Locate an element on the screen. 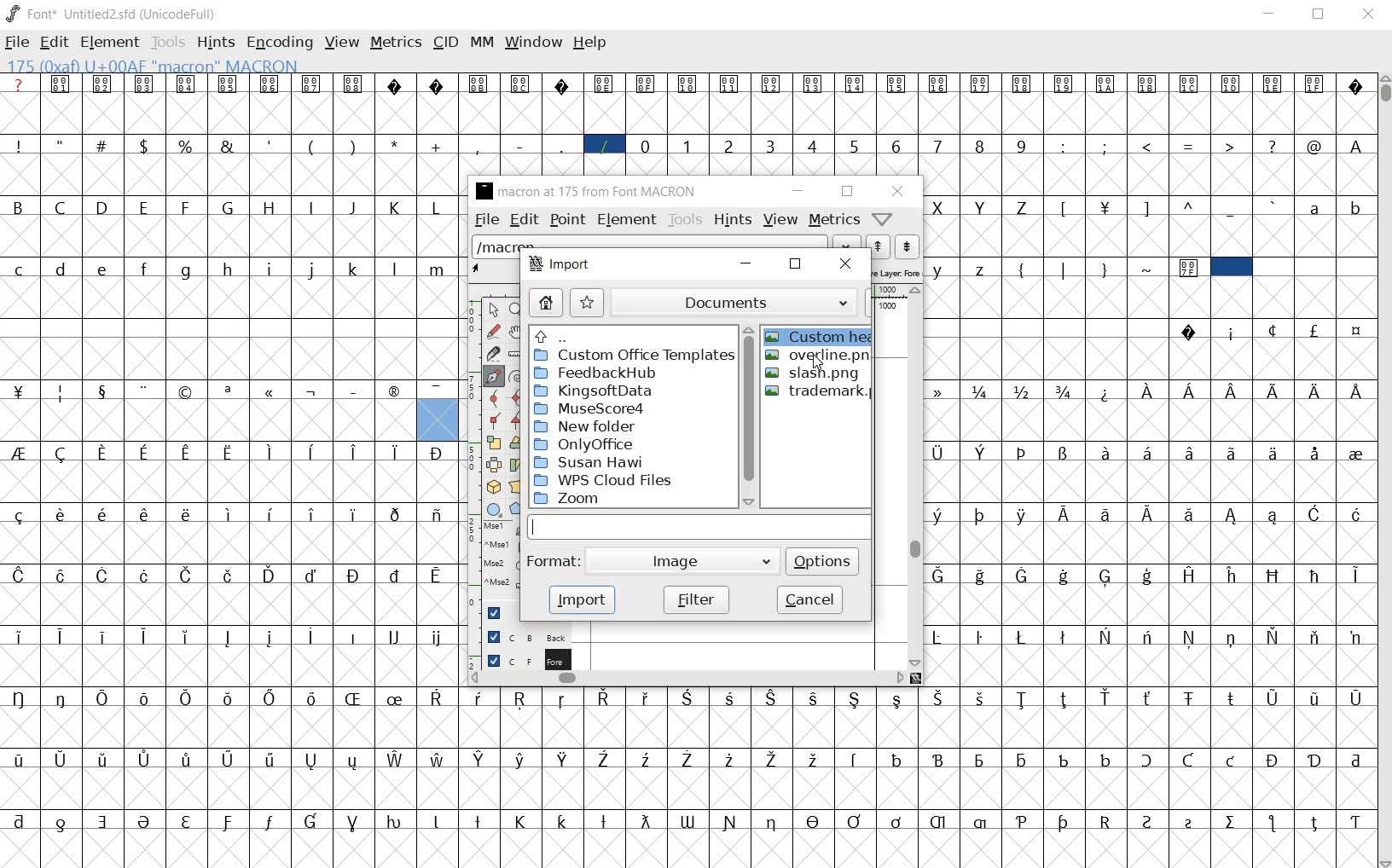 The width and height of the screenshot is (1392, 868). Symbol is located at coordinates (396, 821).